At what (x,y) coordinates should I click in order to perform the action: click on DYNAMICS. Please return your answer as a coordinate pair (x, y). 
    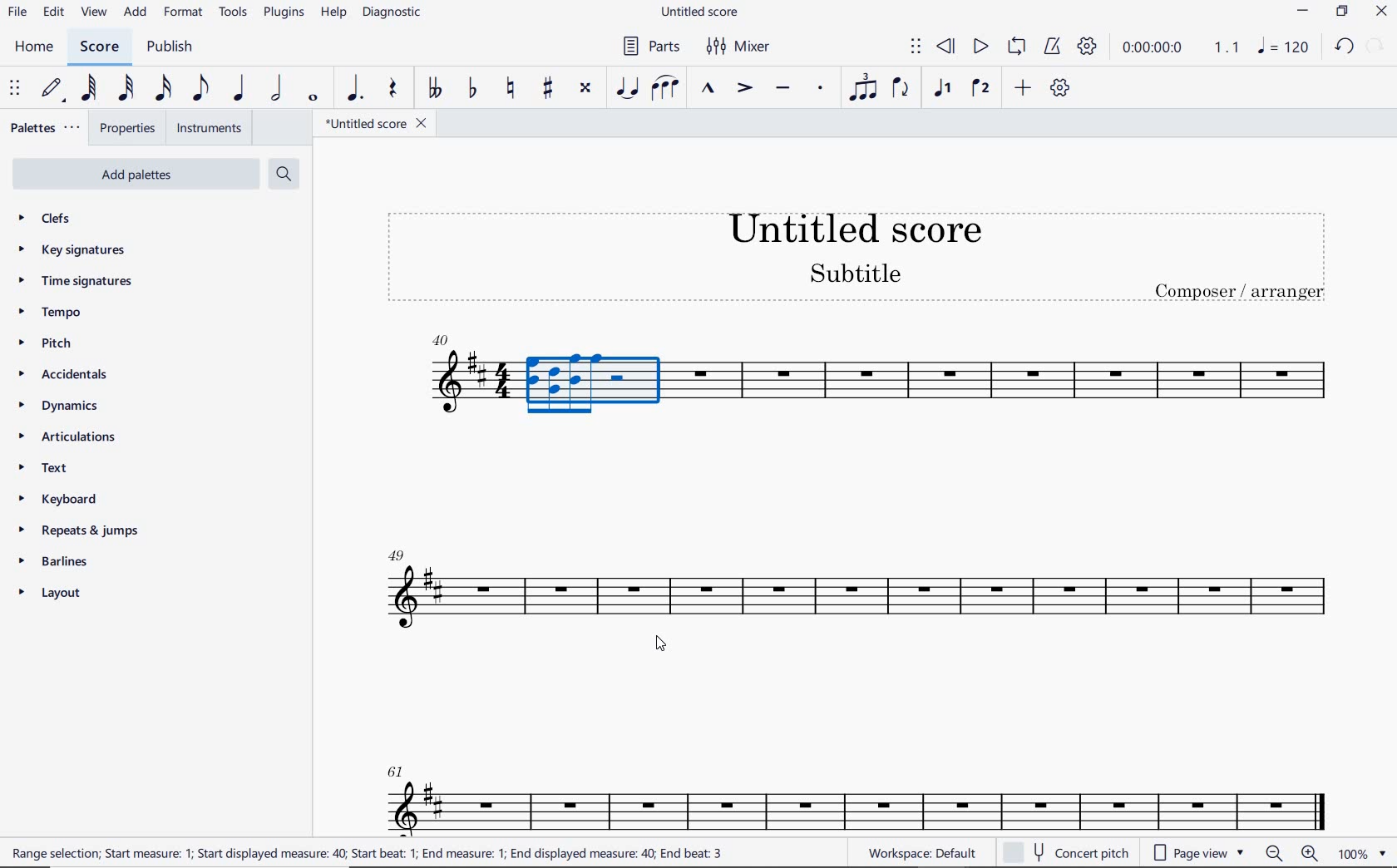
    Looking at the image, I should click on (67, 407).